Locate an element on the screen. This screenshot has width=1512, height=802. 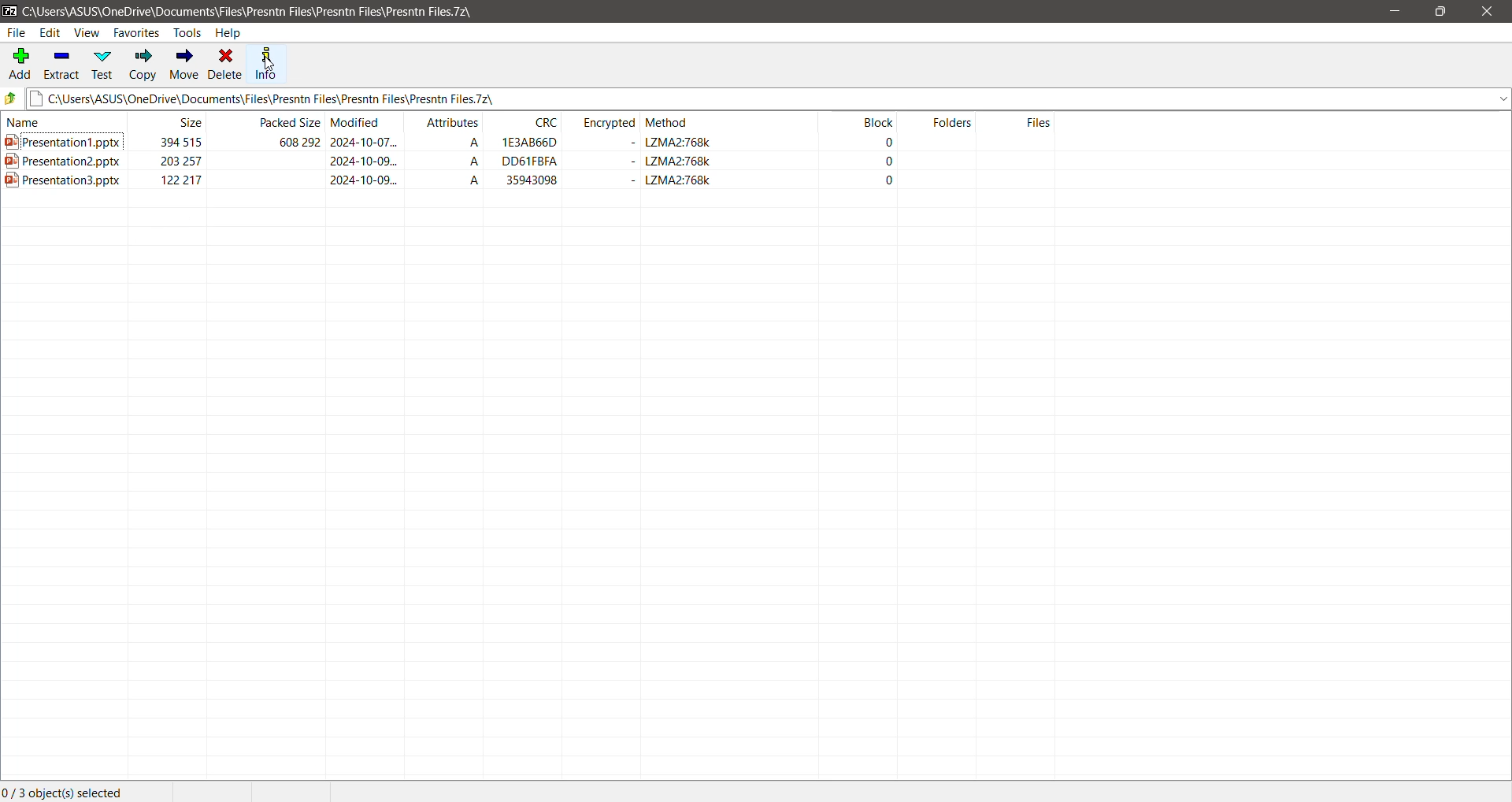
Block is located at coordinates (878, 124).